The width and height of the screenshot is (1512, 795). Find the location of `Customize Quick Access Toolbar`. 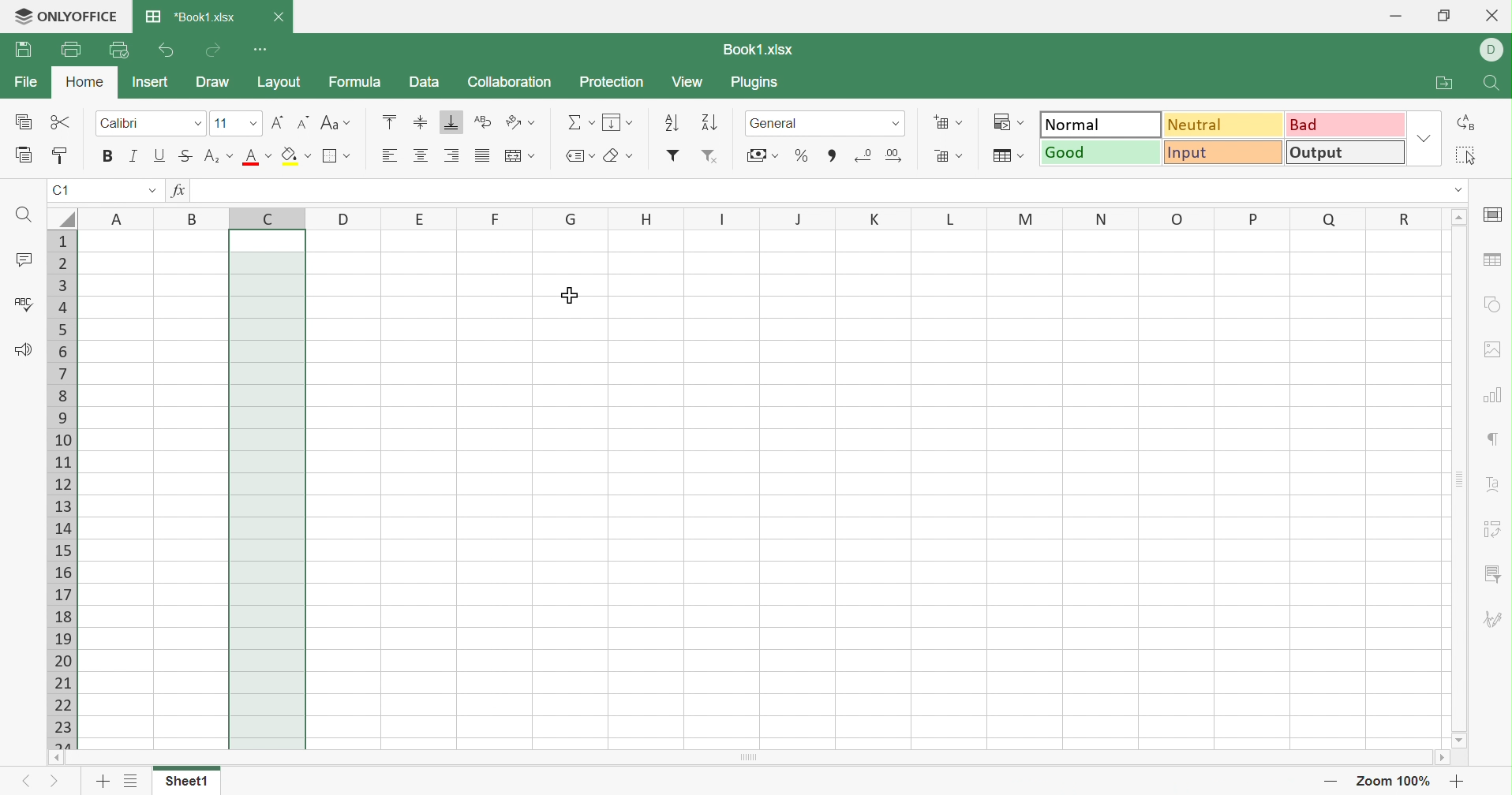

Customize Quick Access Toolbar is located at coordinates (264, 47).